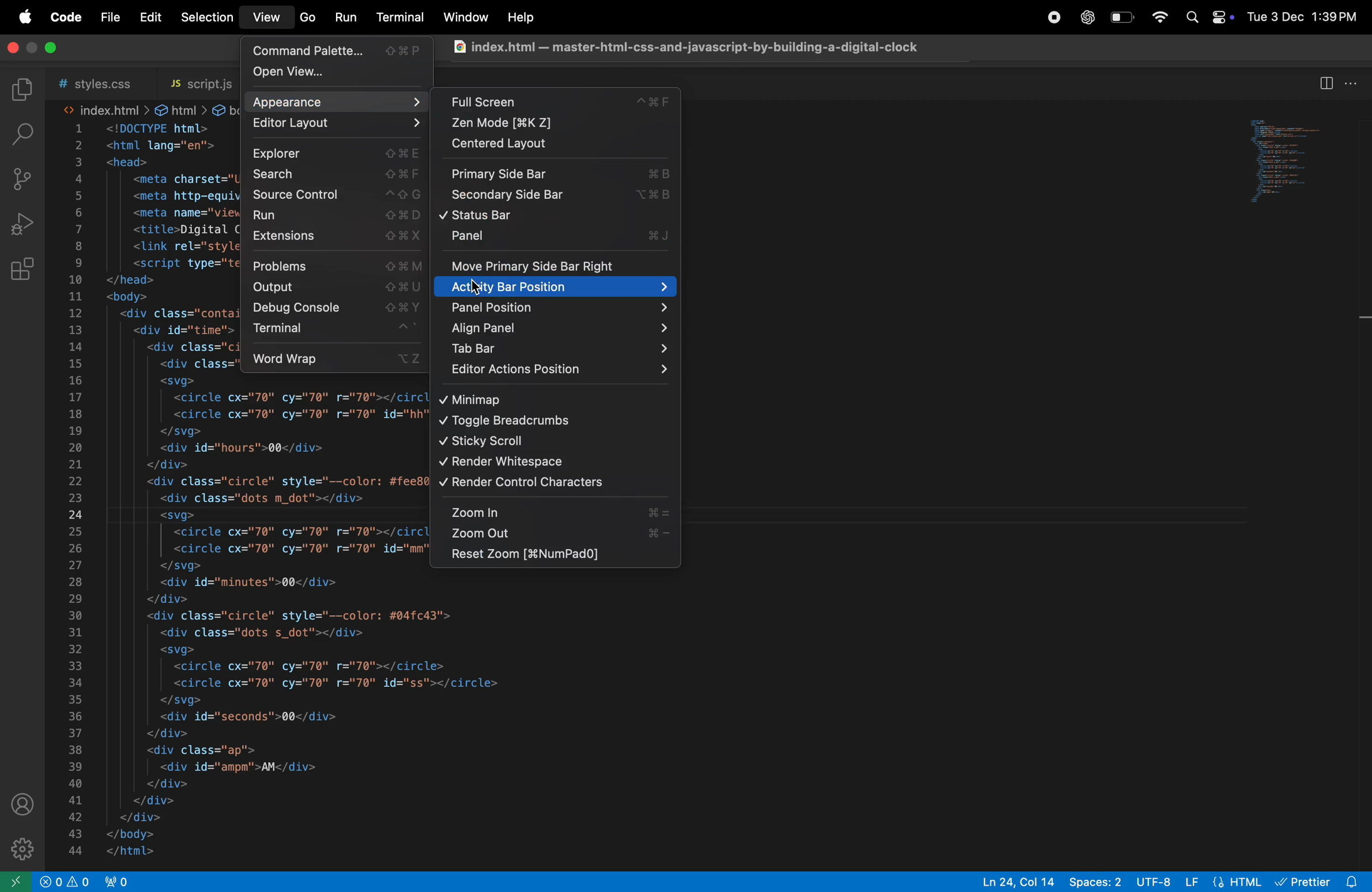  What do you see at coordinates (346, 19) in the screenshot?
I see `run` at bounding box center [346, 19].